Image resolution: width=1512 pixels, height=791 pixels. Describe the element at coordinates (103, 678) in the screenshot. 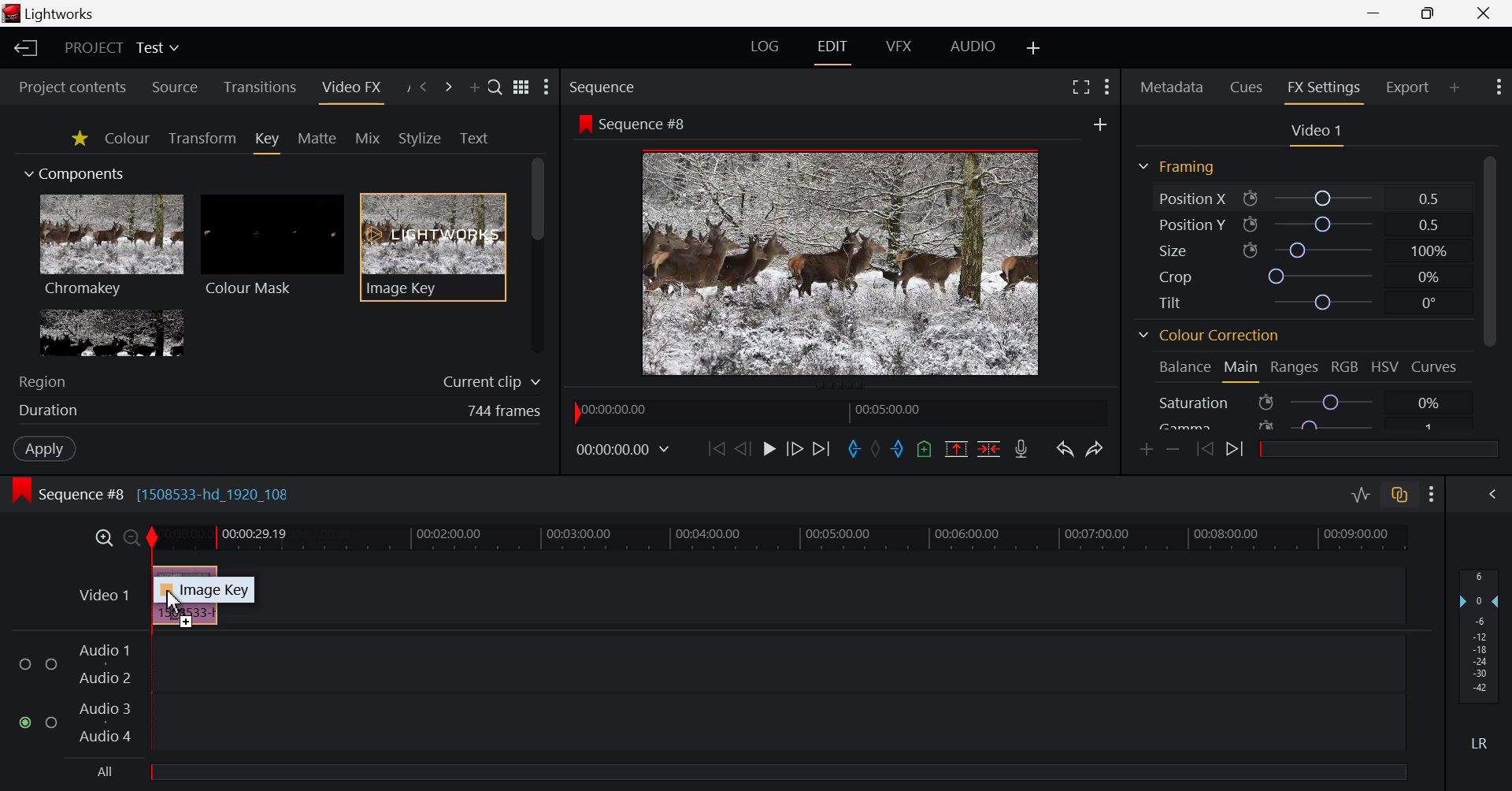

I see `Audio 2` at that location.